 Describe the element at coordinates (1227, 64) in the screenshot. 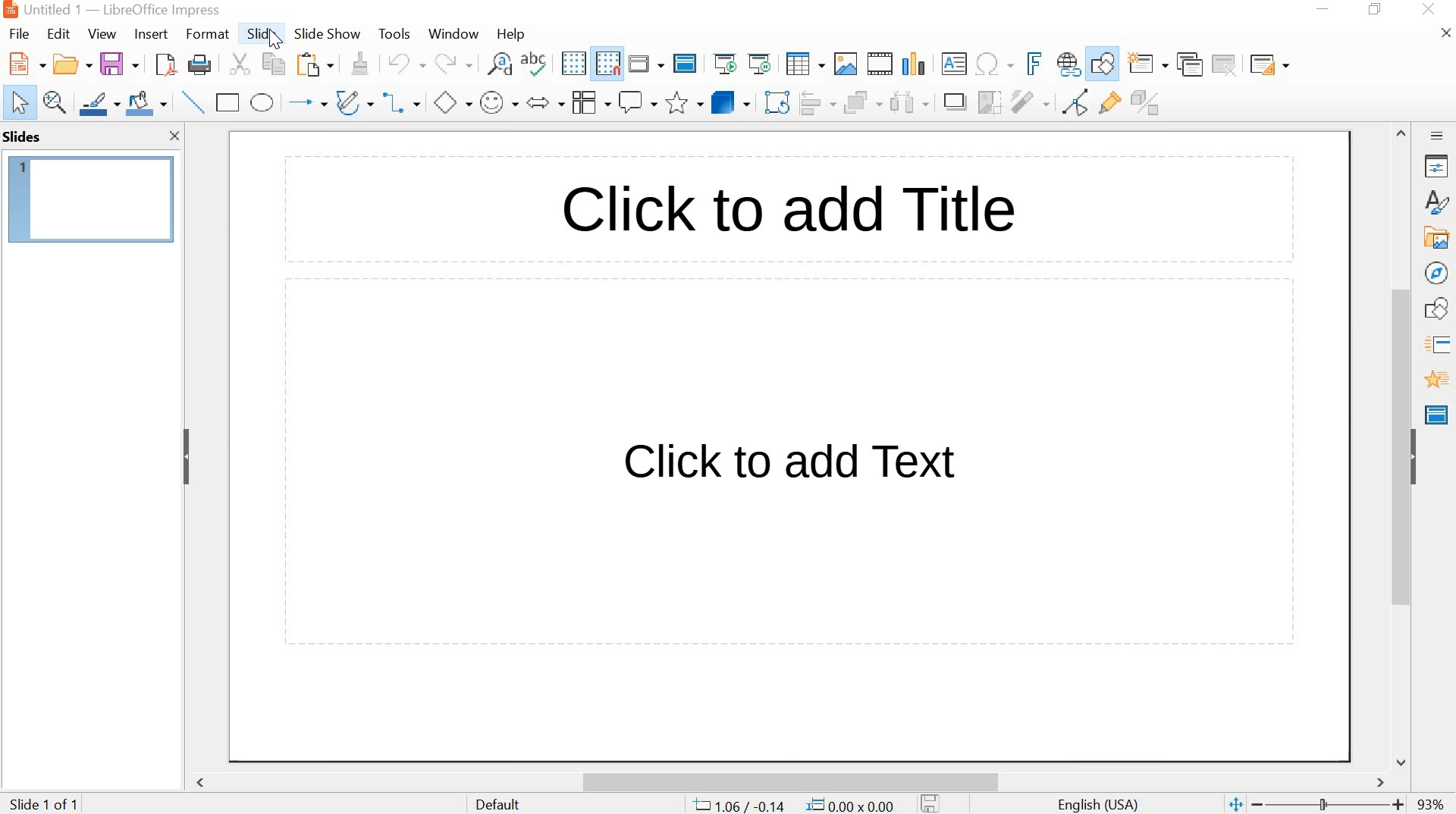

I see `Delete Slide` at that location.